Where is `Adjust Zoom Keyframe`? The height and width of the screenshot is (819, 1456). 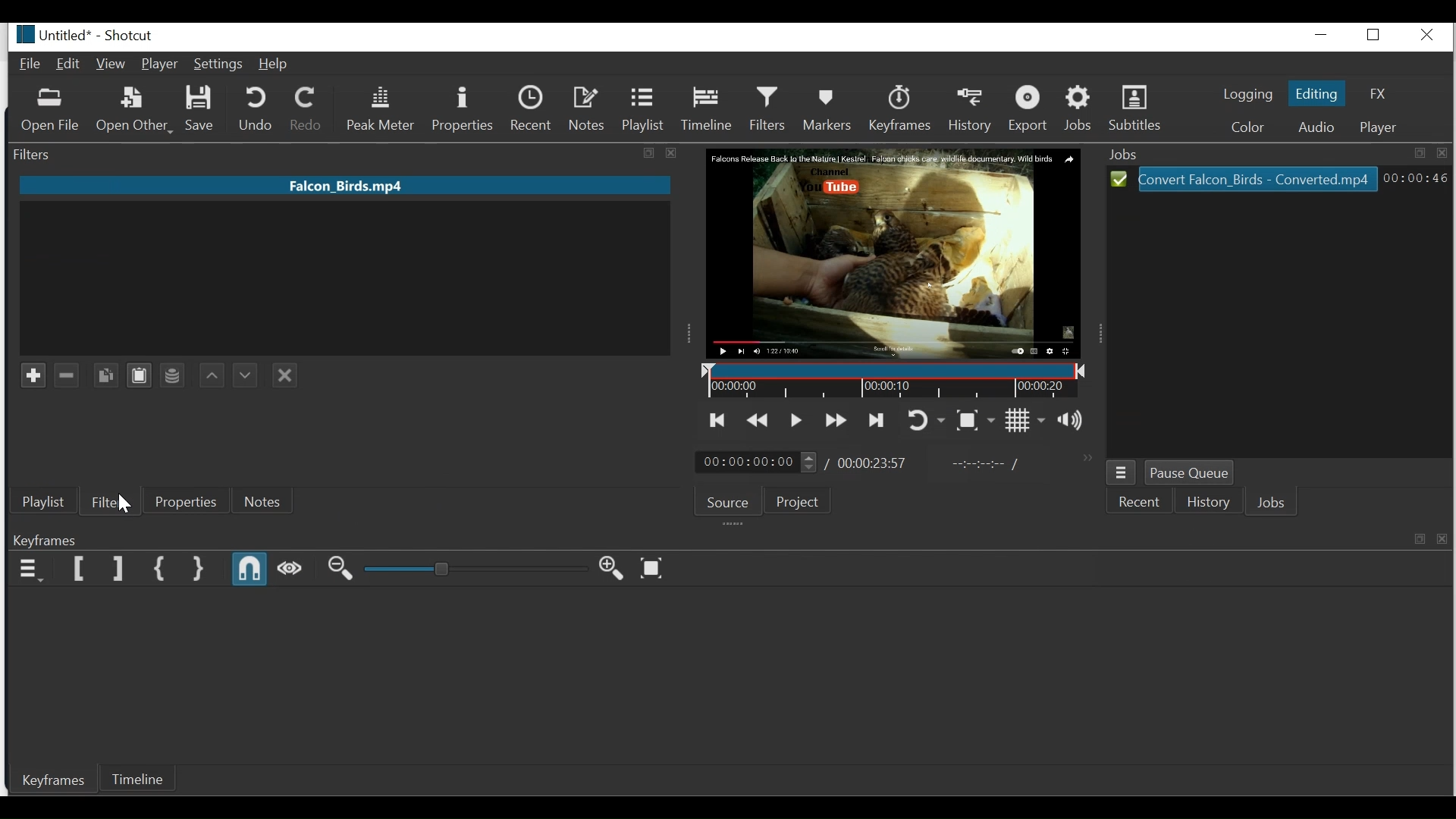 Adjust Zoom Keyframe is located at coordinates (475, 569).